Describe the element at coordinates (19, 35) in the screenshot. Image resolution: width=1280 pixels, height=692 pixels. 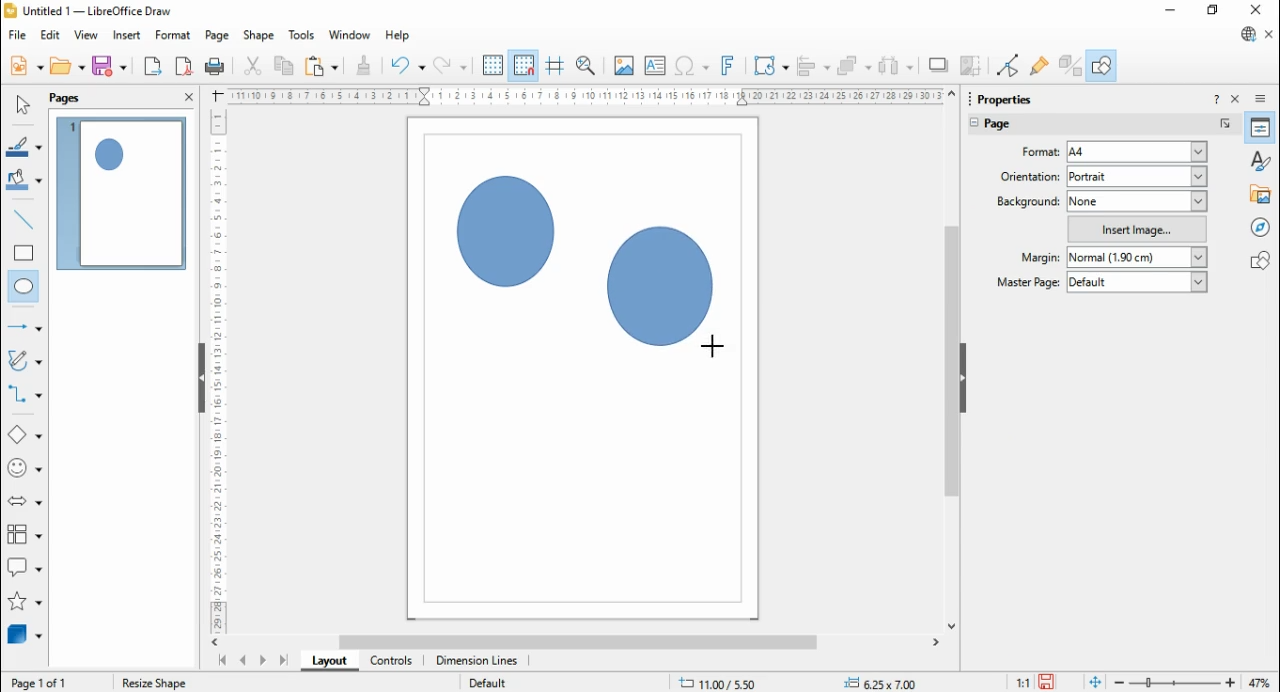
I see `file` at that location.